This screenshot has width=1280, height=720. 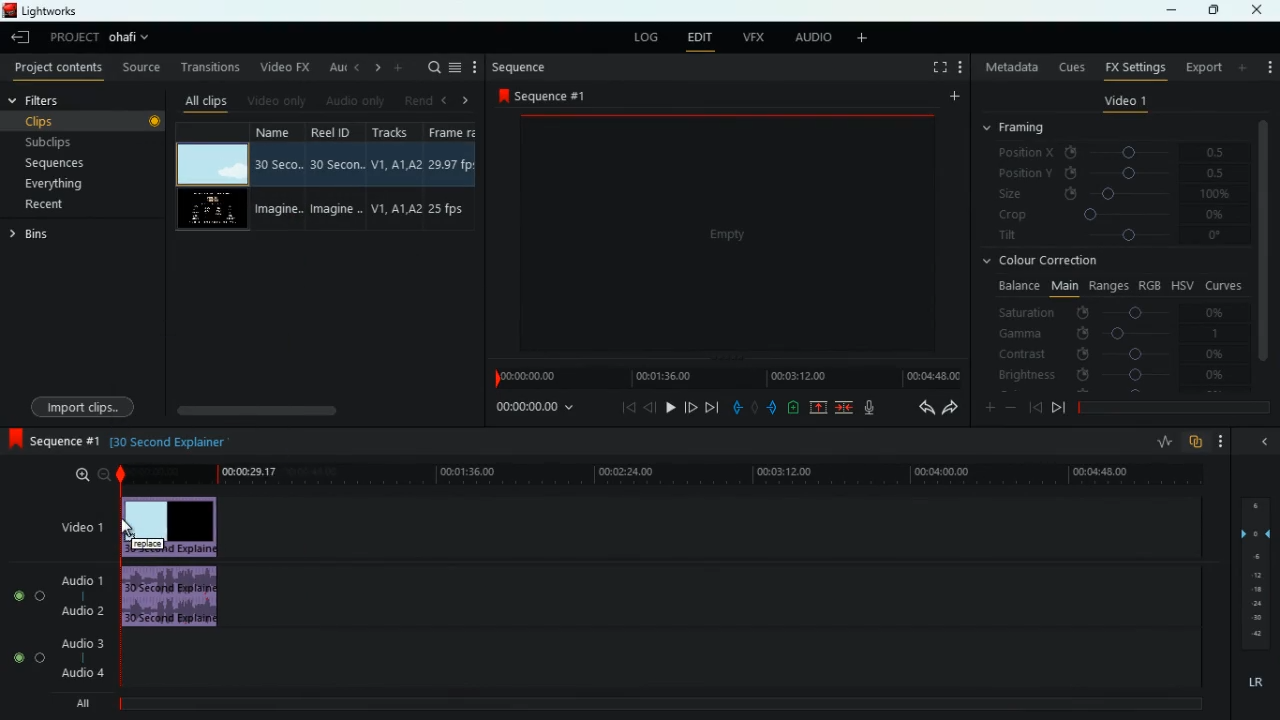 I want to click on screen, so click(x=730, y=235).